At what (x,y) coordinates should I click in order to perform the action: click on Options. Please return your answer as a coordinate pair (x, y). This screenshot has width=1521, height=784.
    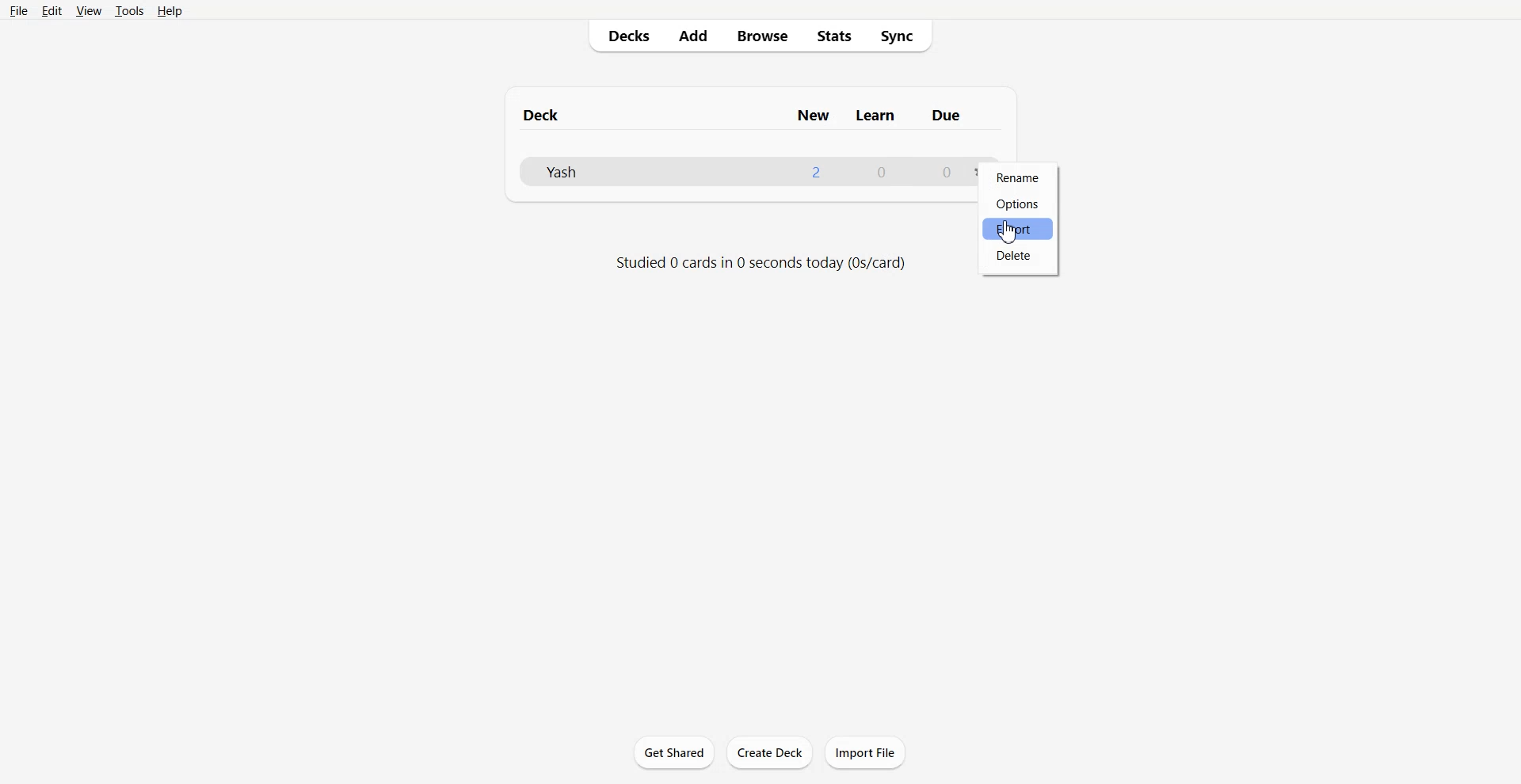
    Looking at the image, I should click on (1019, 202).